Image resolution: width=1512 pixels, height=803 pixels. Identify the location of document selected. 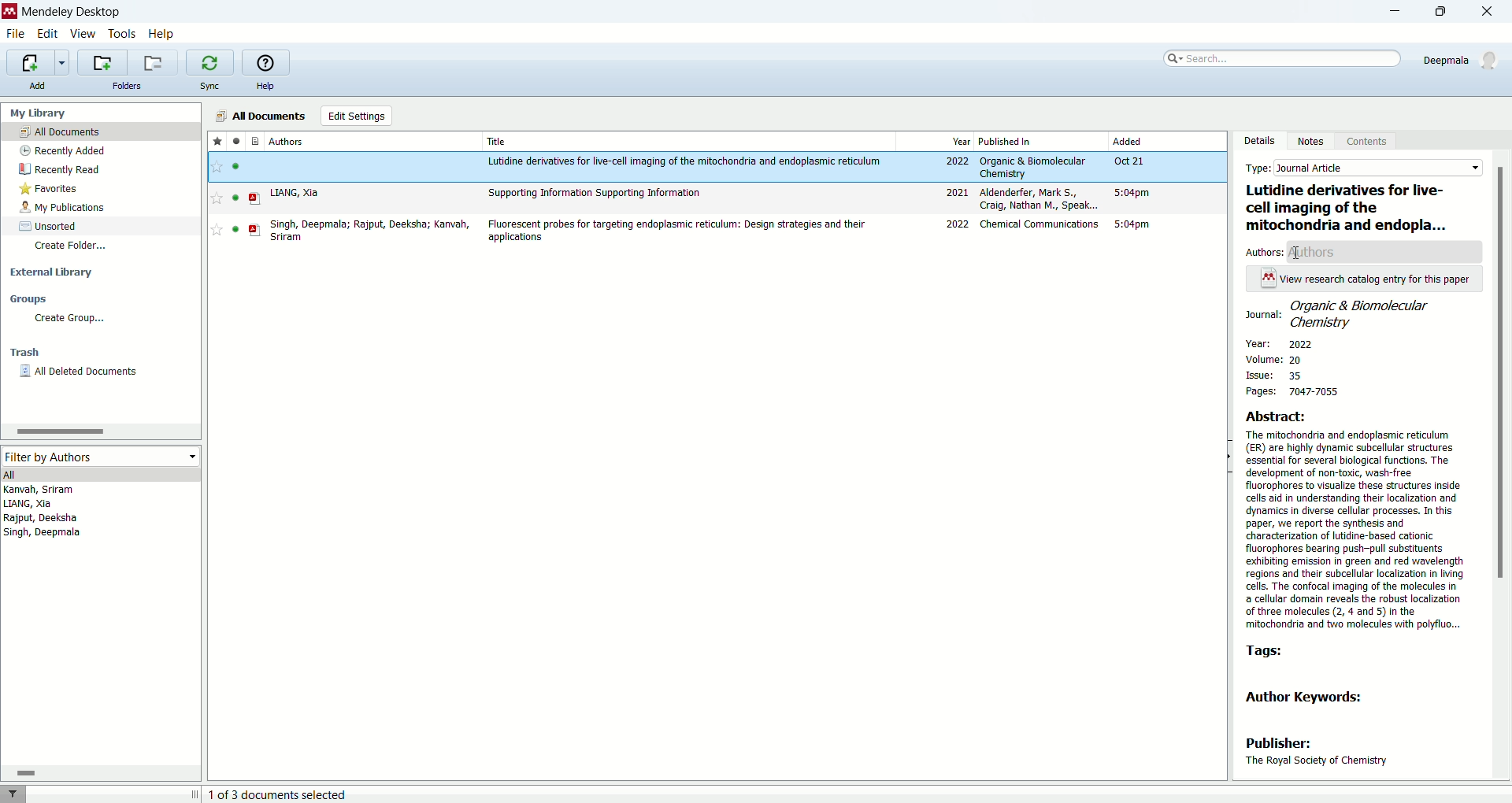
(280, 795).